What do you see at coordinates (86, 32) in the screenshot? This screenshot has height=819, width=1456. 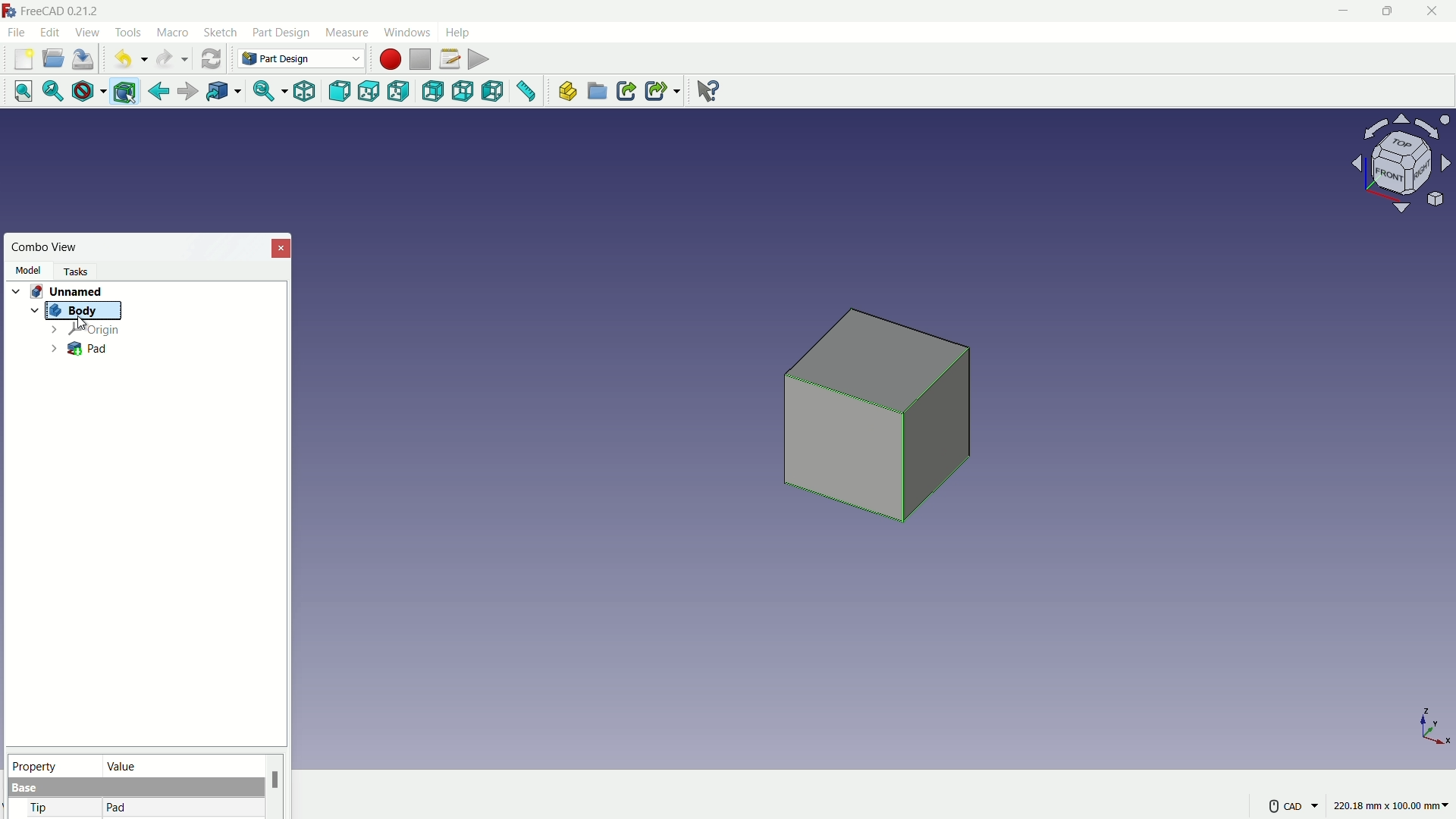 I see `view` at bounding box center [86, 32].